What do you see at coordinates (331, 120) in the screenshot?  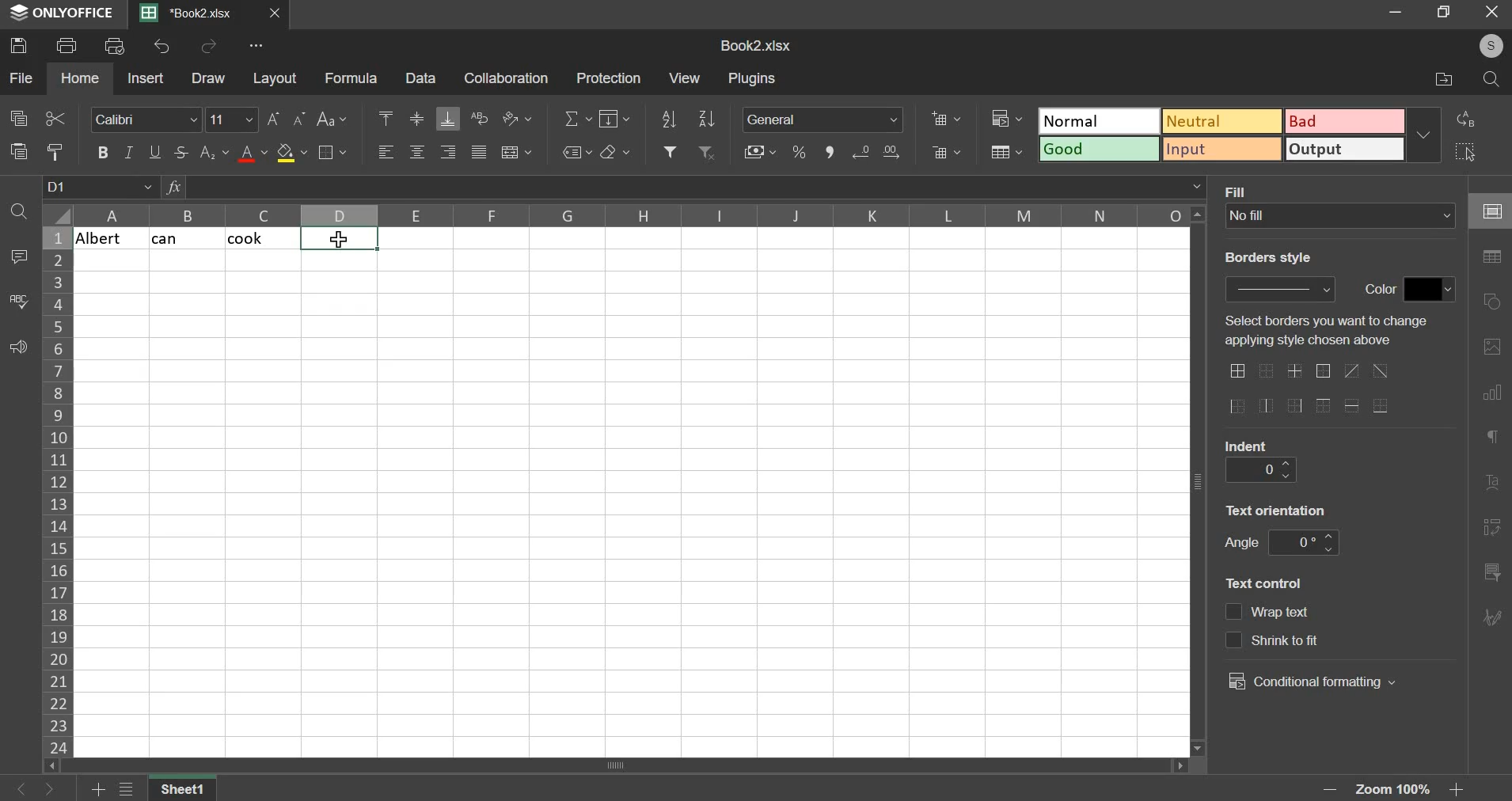 I see `change case` at bounding box center [331, 120].